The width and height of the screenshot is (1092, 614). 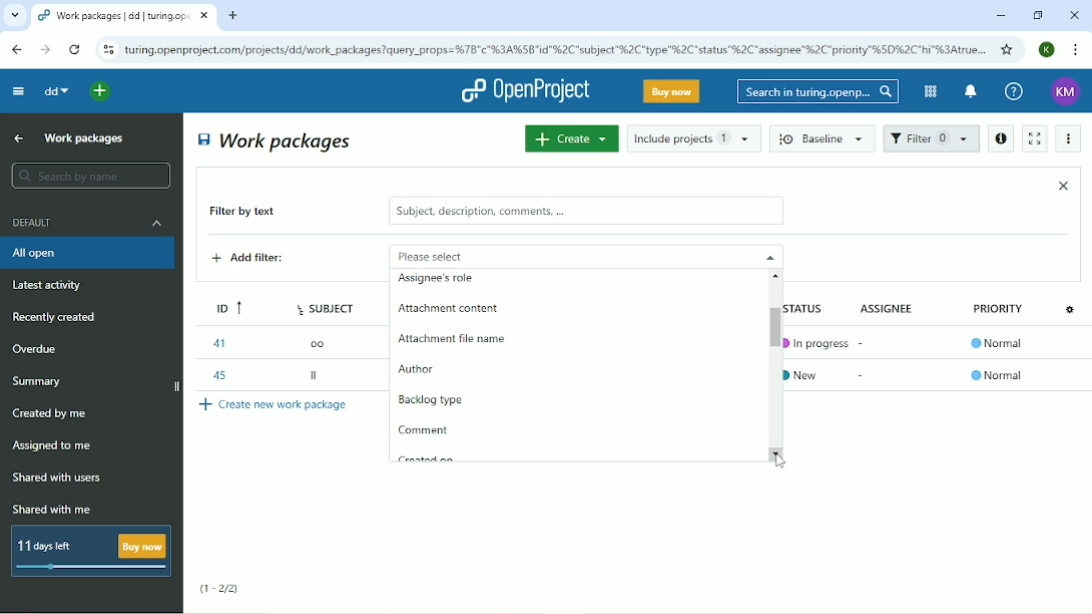 I want to click on subject, description, comments, so click(x=585, y=211).